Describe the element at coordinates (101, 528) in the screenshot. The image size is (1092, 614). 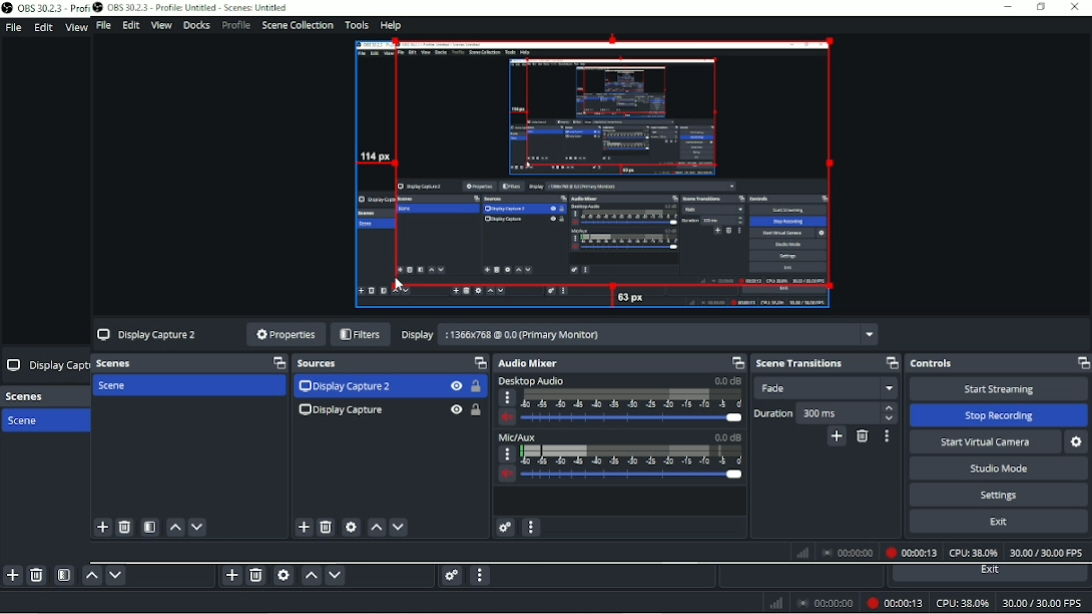
I see `add` at that location.